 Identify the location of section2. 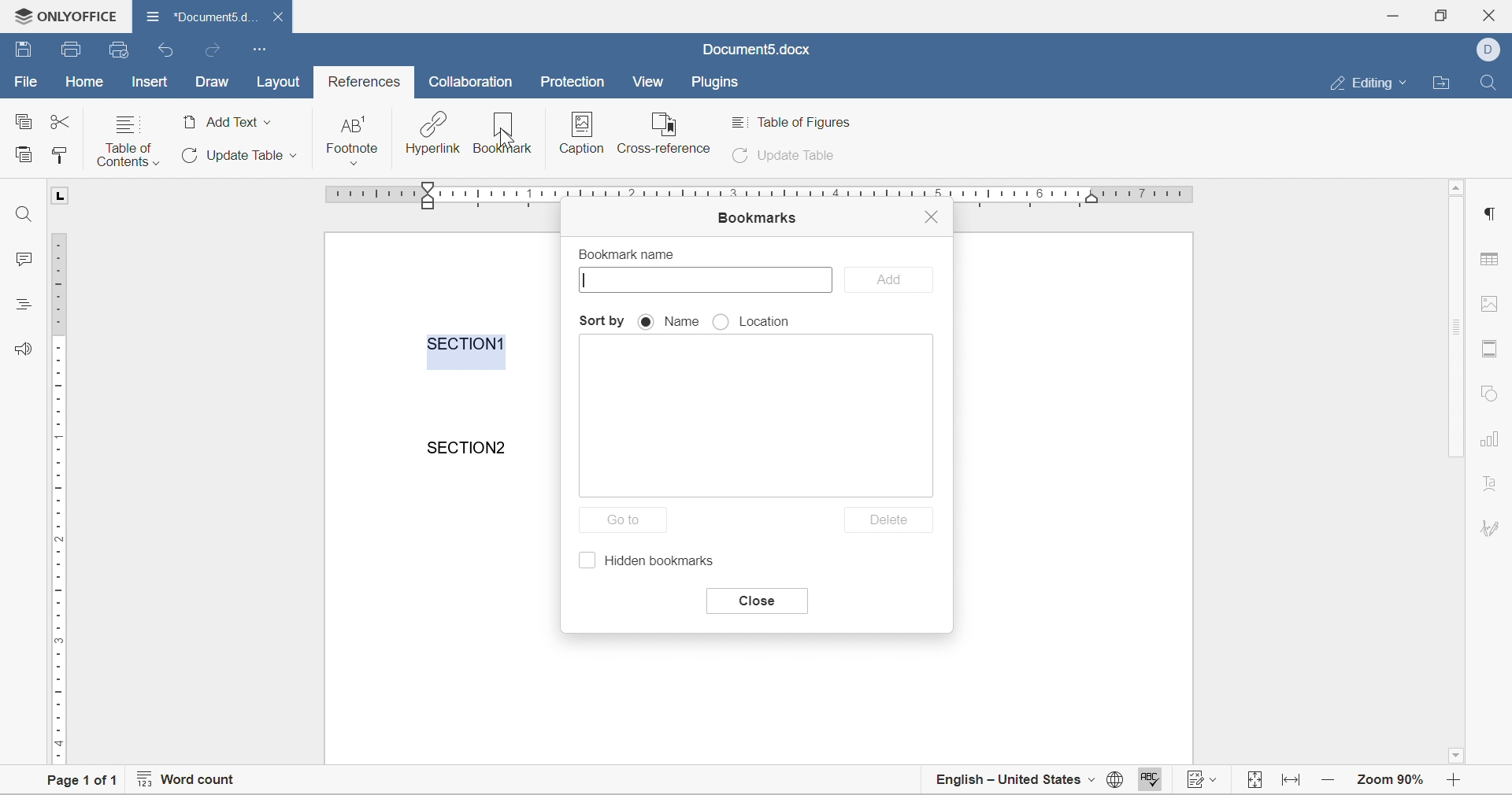
(470, 447).